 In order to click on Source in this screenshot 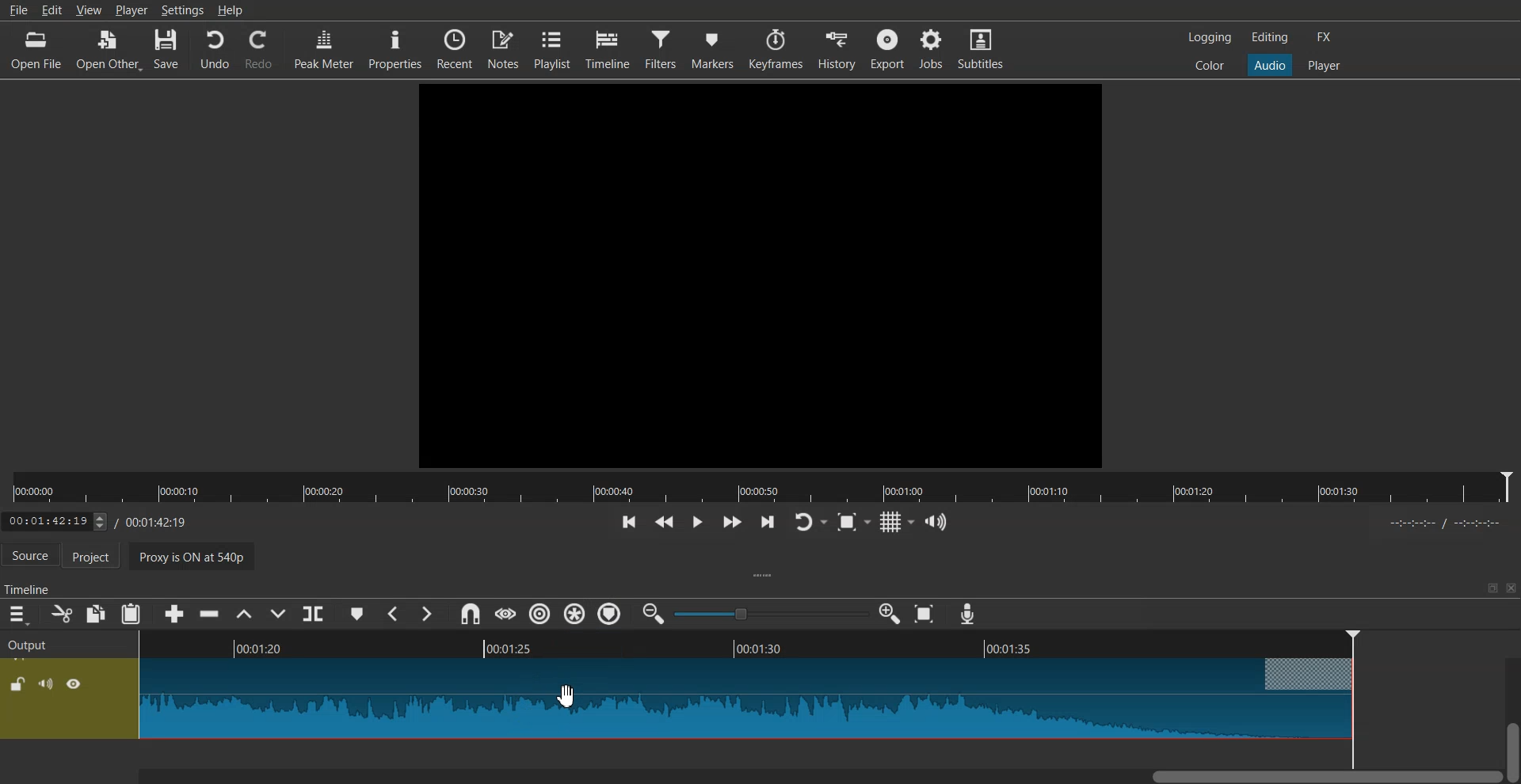, I will do `click(29, 554)`.